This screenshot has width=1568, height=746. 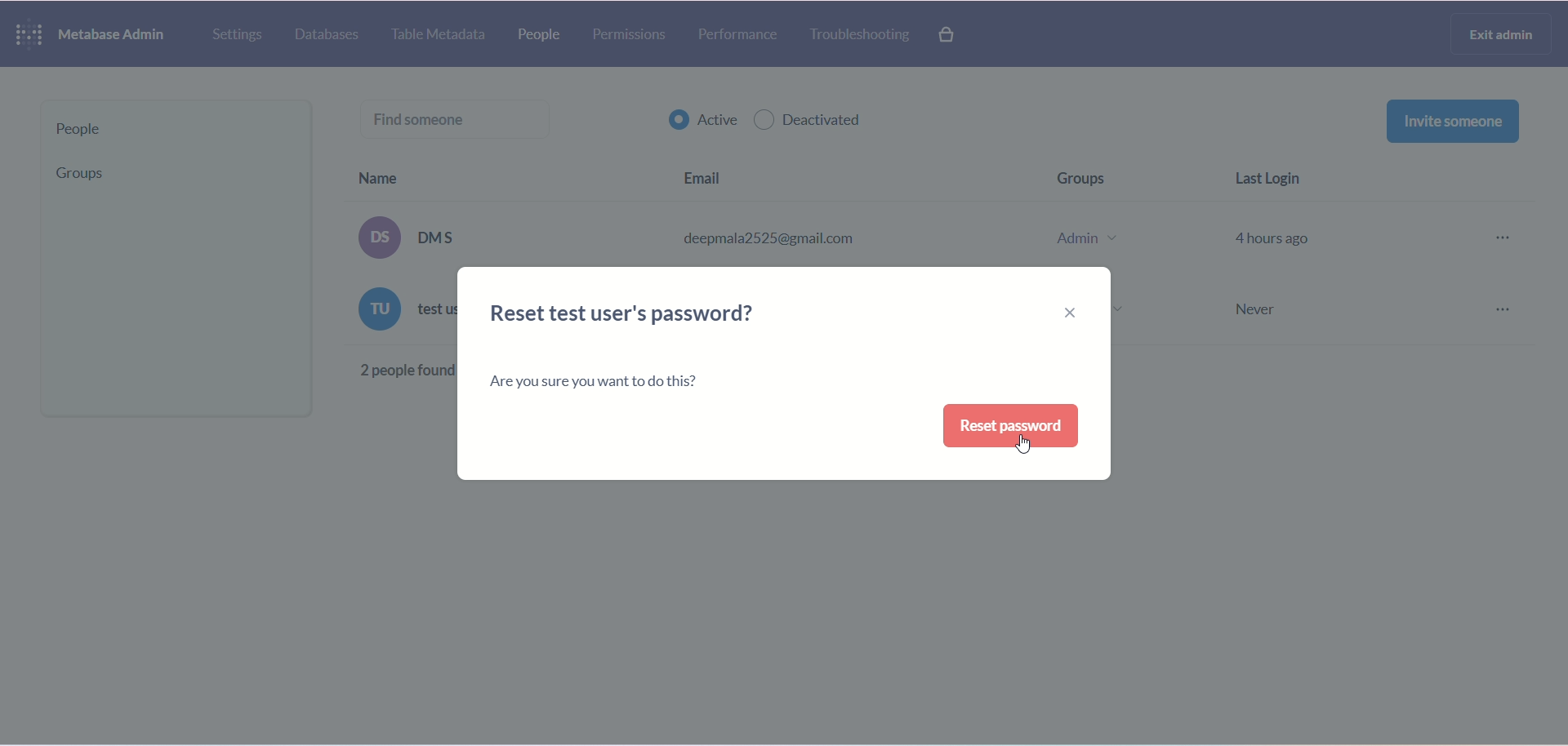 I want to click on (os) DMS deepmala2525@gmail.com Admin v 4 hours ago, so click(x=835, y=236).